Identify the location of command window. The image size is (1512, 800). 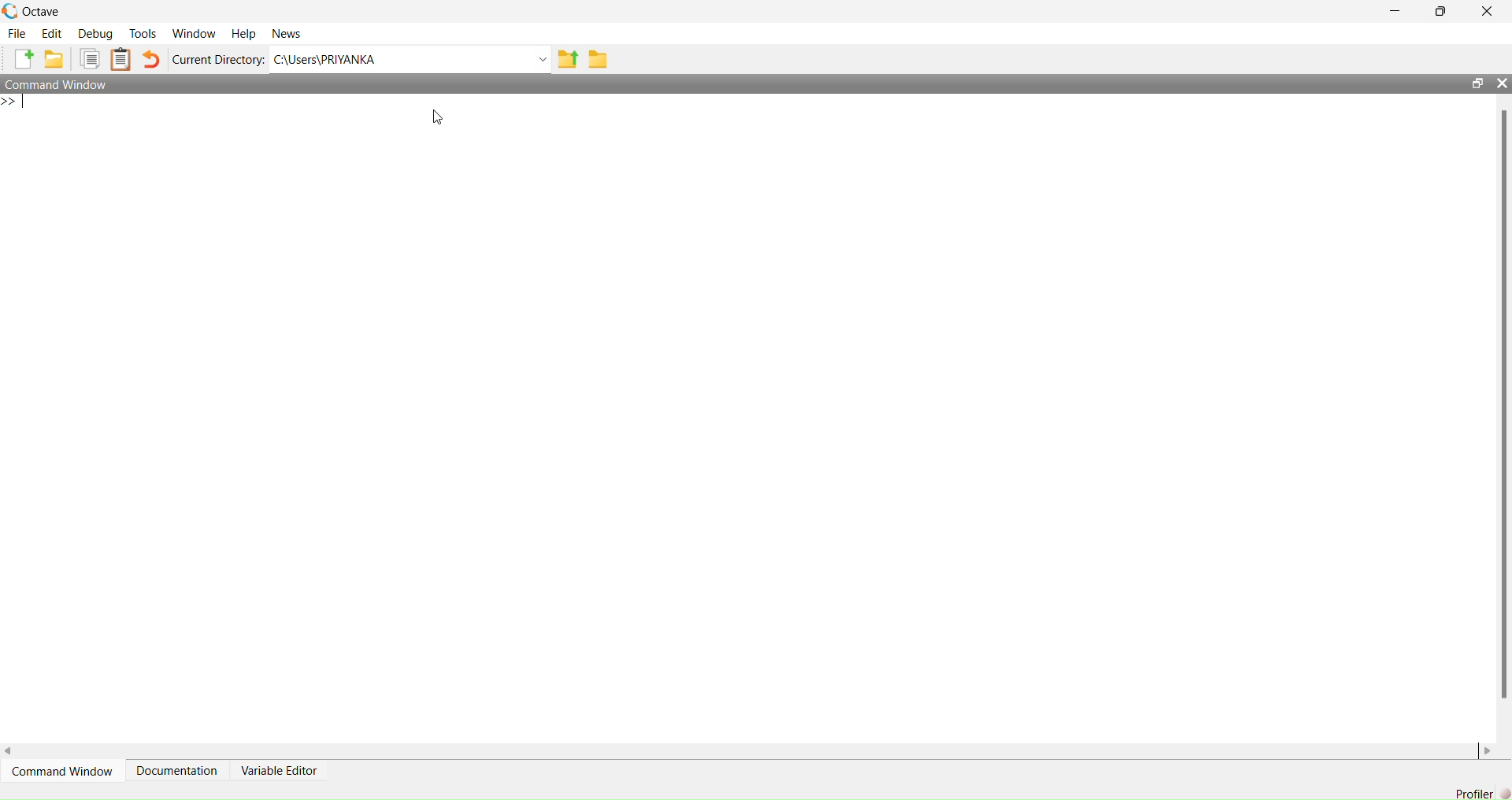
(57, 84).